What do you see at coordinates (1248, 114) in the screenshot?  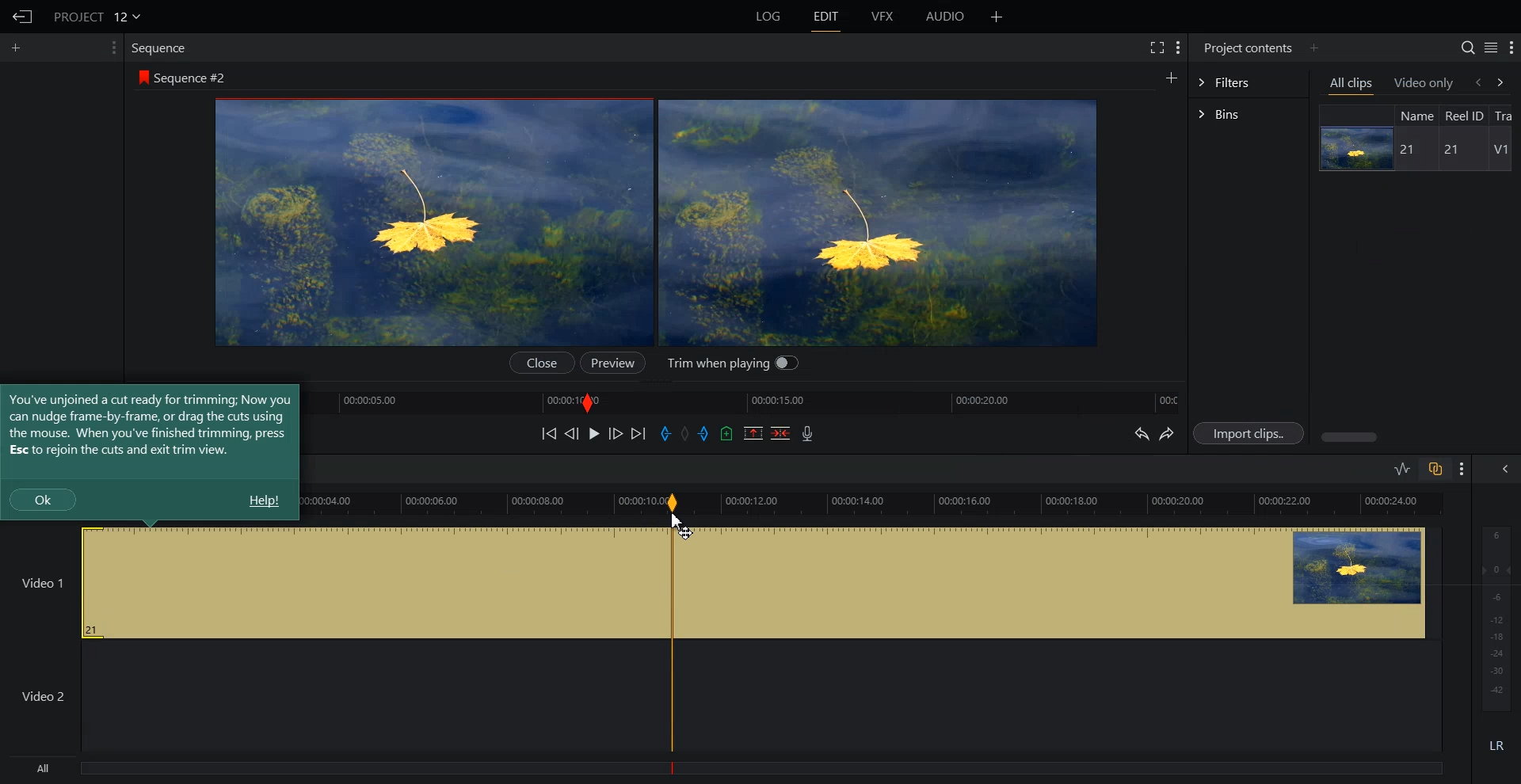 I see `Bins` at bounding box center [1248, 114].